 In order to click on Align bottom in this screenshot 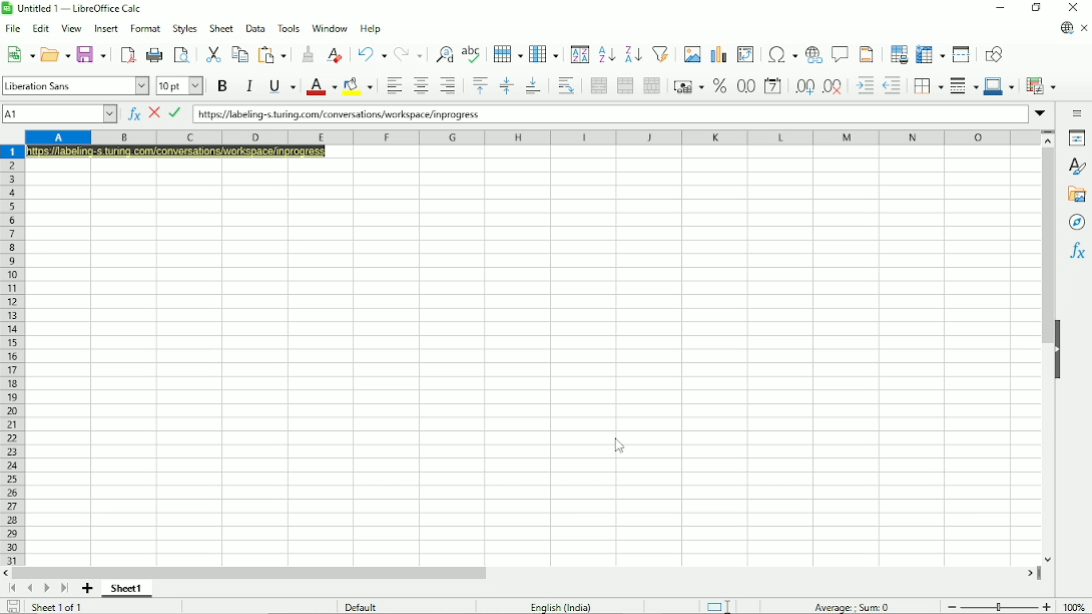, I will do `click(532, 86)`.